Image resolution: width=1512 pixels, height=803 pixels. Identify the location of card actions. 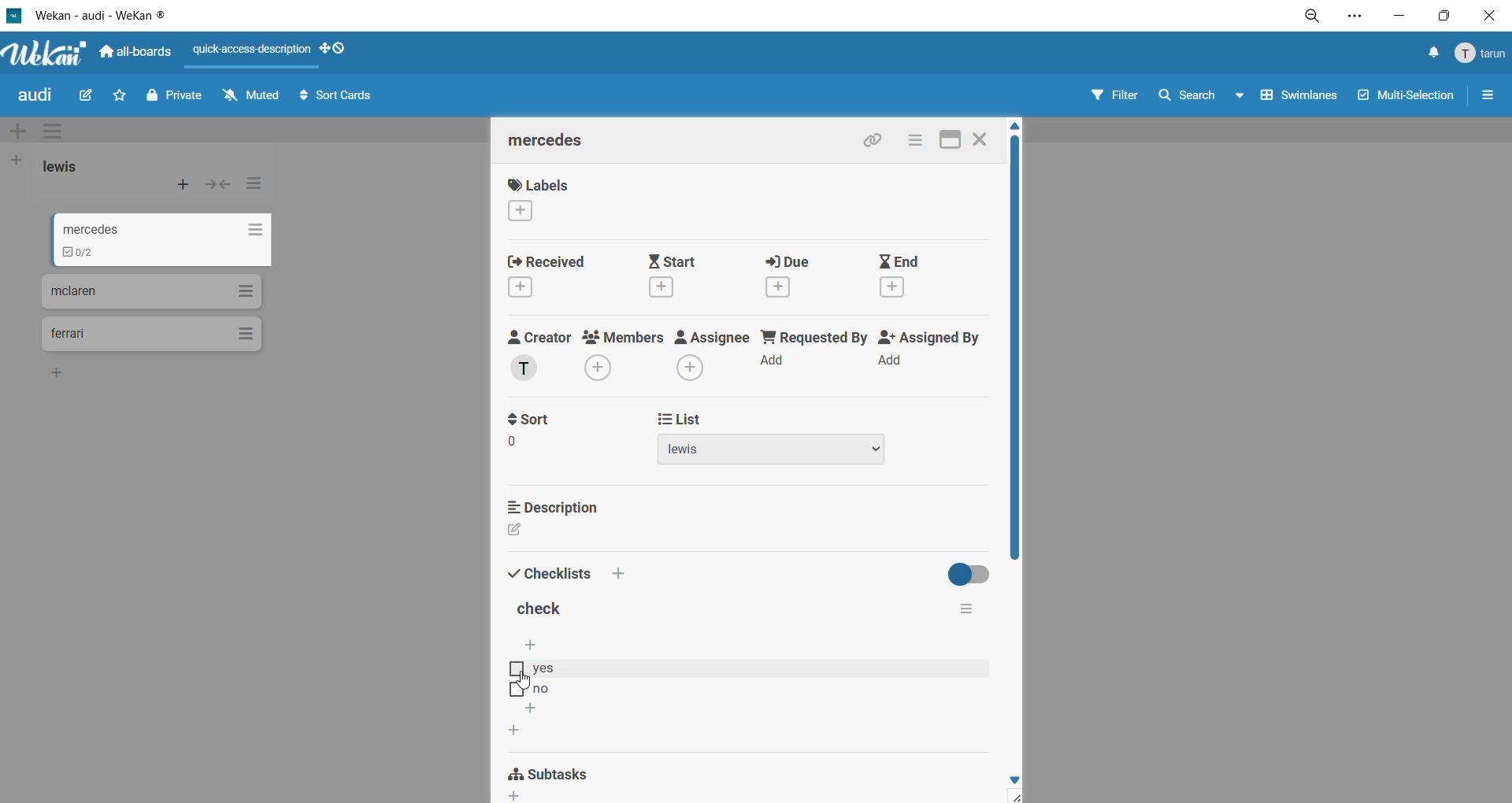
(920, 141).